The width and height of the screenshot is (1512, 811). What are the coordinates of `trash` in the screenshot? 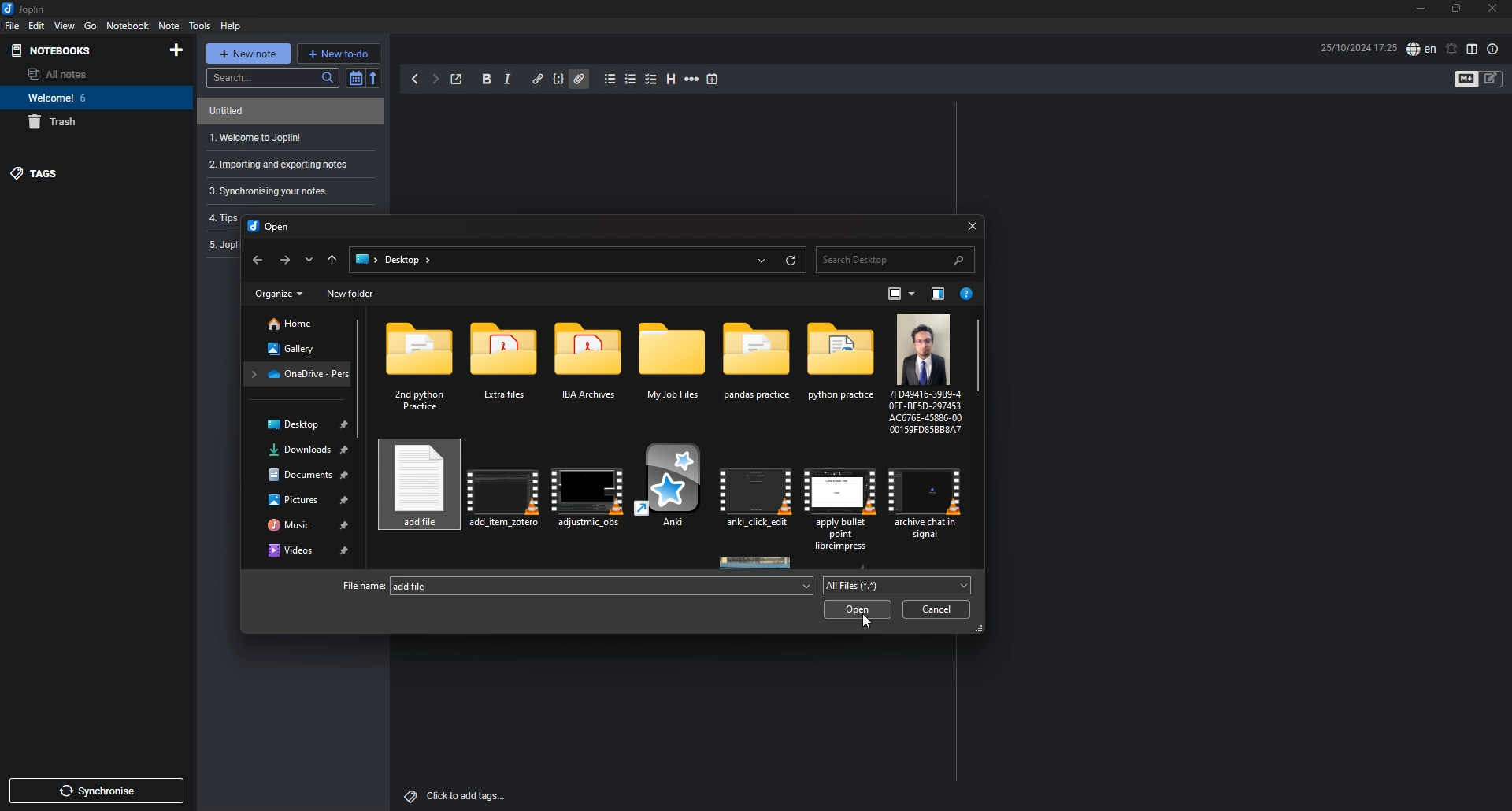 It's located at (87, 123).